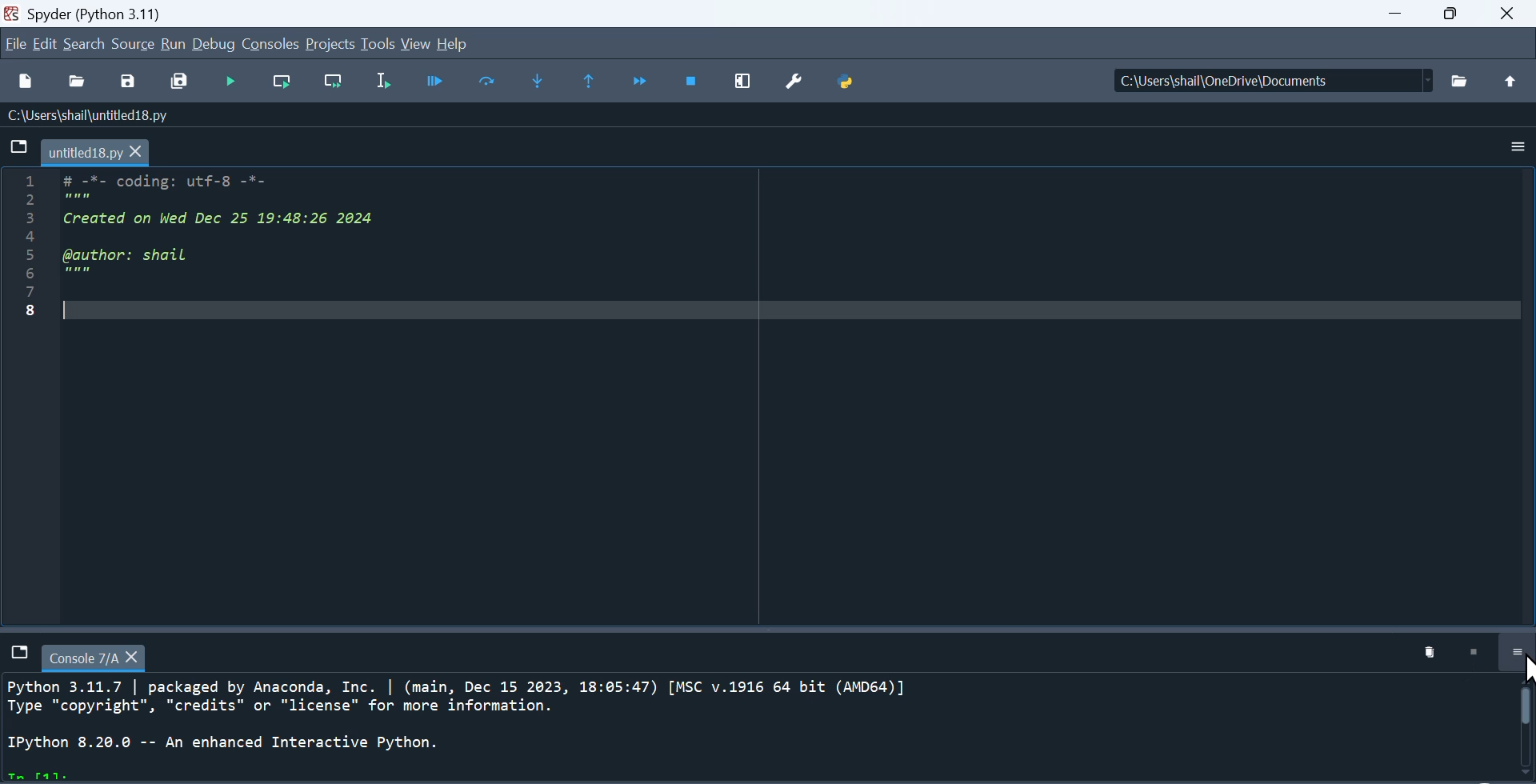 The width and height of the screenshot is (1536, 784). What do you see at coordinates (86, 46) in the screenshot?
I see `search` at bounding box center [86, 46].